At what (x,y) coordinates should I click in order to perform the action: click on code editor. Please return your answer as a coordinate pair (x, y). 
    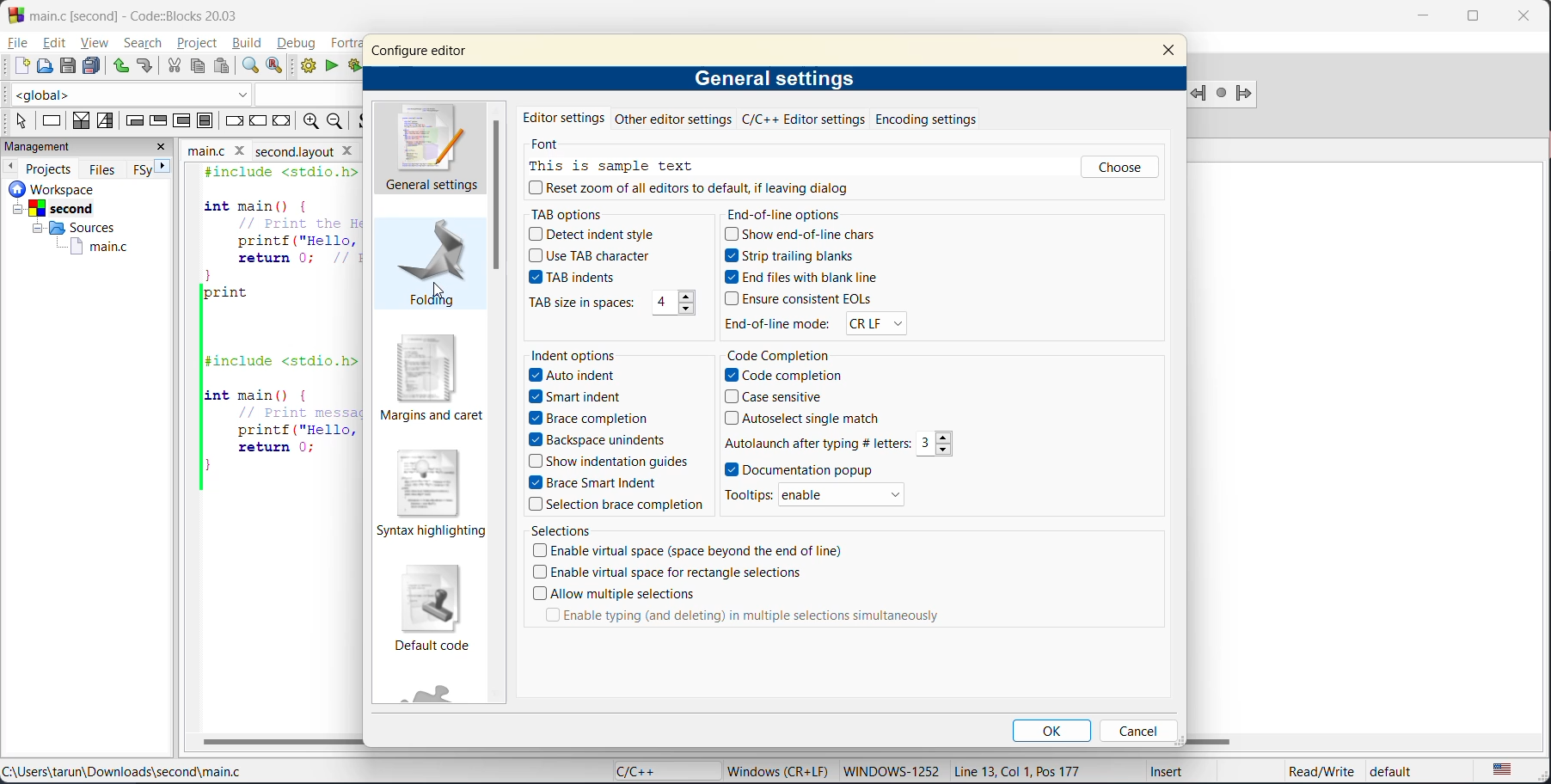
    Looking at the image, I should click on (275, 328).